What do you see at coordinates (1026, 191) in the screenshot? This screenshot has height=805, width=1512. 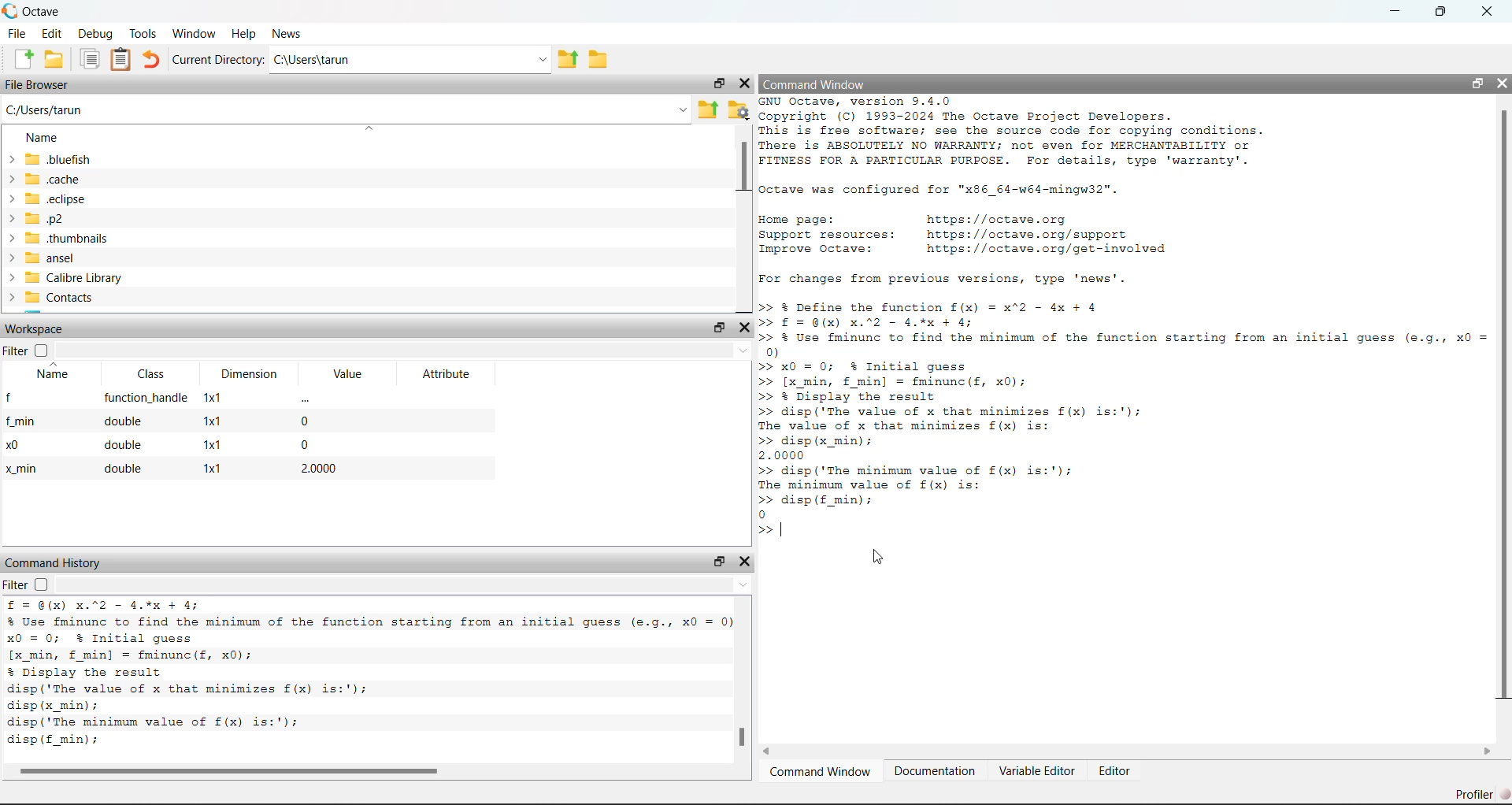 I see `GNU Octave, version 9.4.0

Copyright (C) 1993-2024 The Octave Project Developers.

This is free software; see the source code for copying conditions.
There is ABSOLUTELY NO WARRANTY; not even for MERCHANTABILITY or
FITNESS FOR A PARTICULAR PURPOSE. For details, type 'warranty'.
Octave was configured for "x86_64-w64-mingw32".

Home page: https: //octave.org

Support resources: https: //octave.org/support

Improve Octave: https: //octave.org/get-involved

For changes from previous versions, type 'news'.

>> | N` at bounding box center [1026, 191].